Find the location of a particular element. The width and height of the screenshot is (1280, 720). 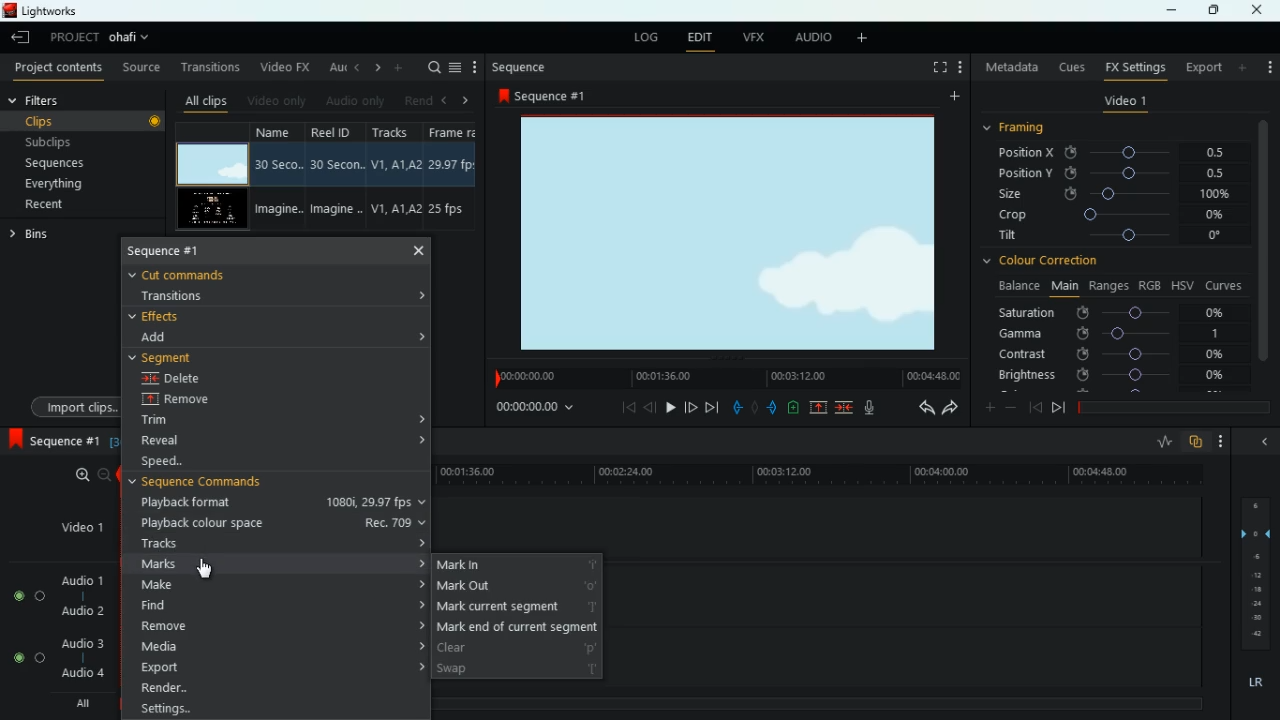

right is located at coordinates (467, 100).